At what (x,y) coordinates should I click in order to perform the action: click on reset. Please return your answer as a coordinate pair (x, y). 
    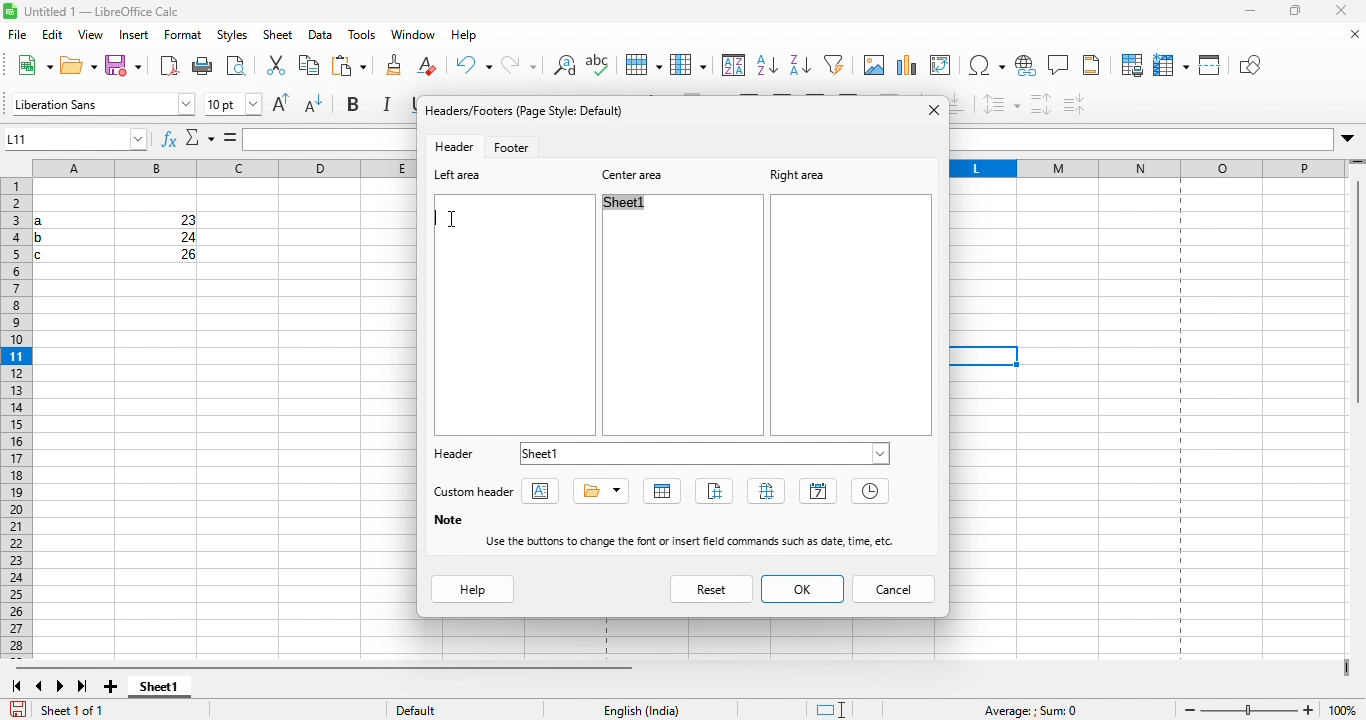
    Looking at the image, I should click on (710, 588).